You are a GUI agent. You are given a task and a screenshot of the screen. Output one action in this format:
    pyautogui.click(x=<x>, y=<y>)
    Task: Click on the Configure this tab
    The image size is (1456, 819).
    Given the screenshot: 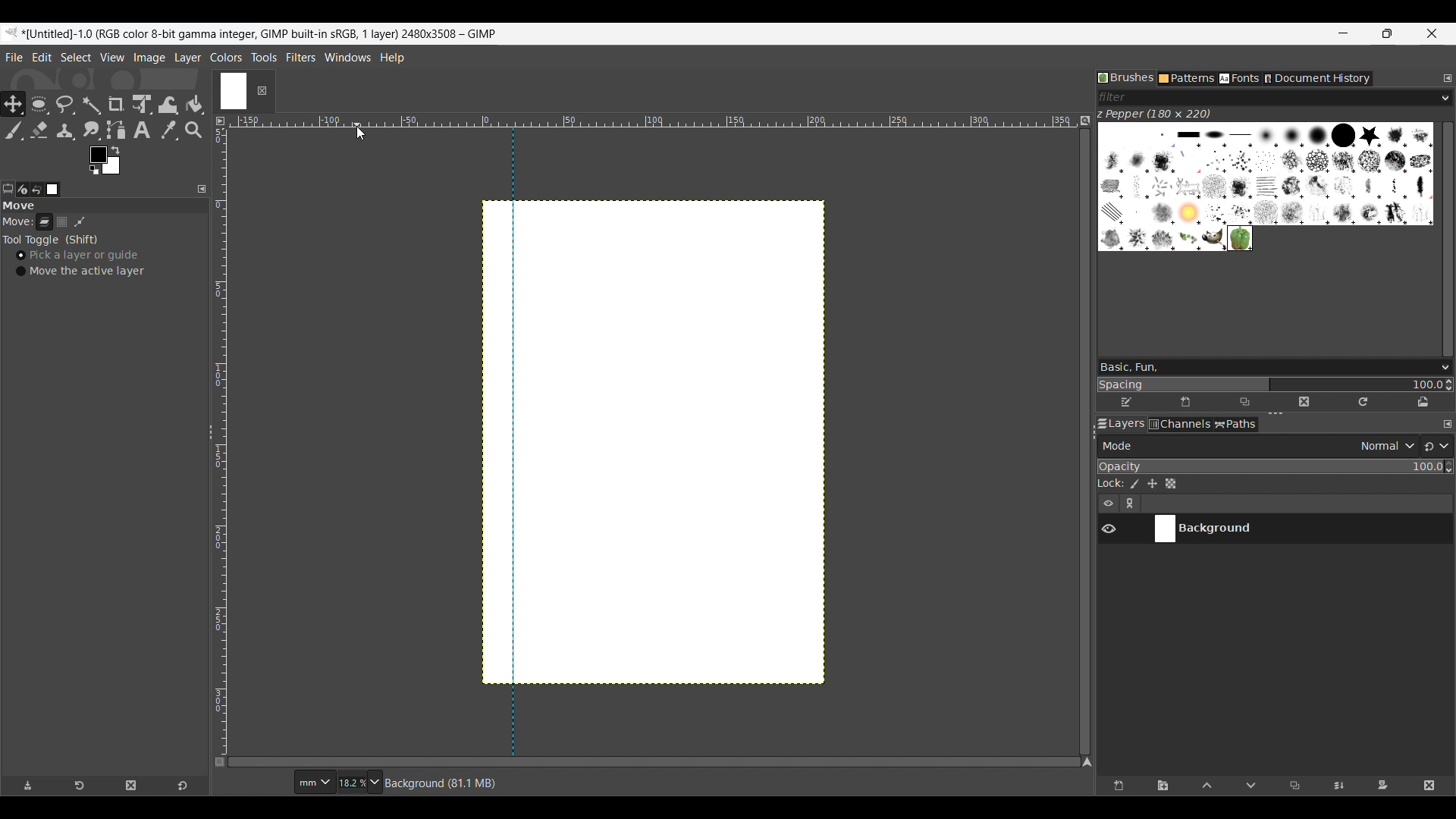 What is the action you would take?
    pyautogui.click(x=1448, y=78)
    